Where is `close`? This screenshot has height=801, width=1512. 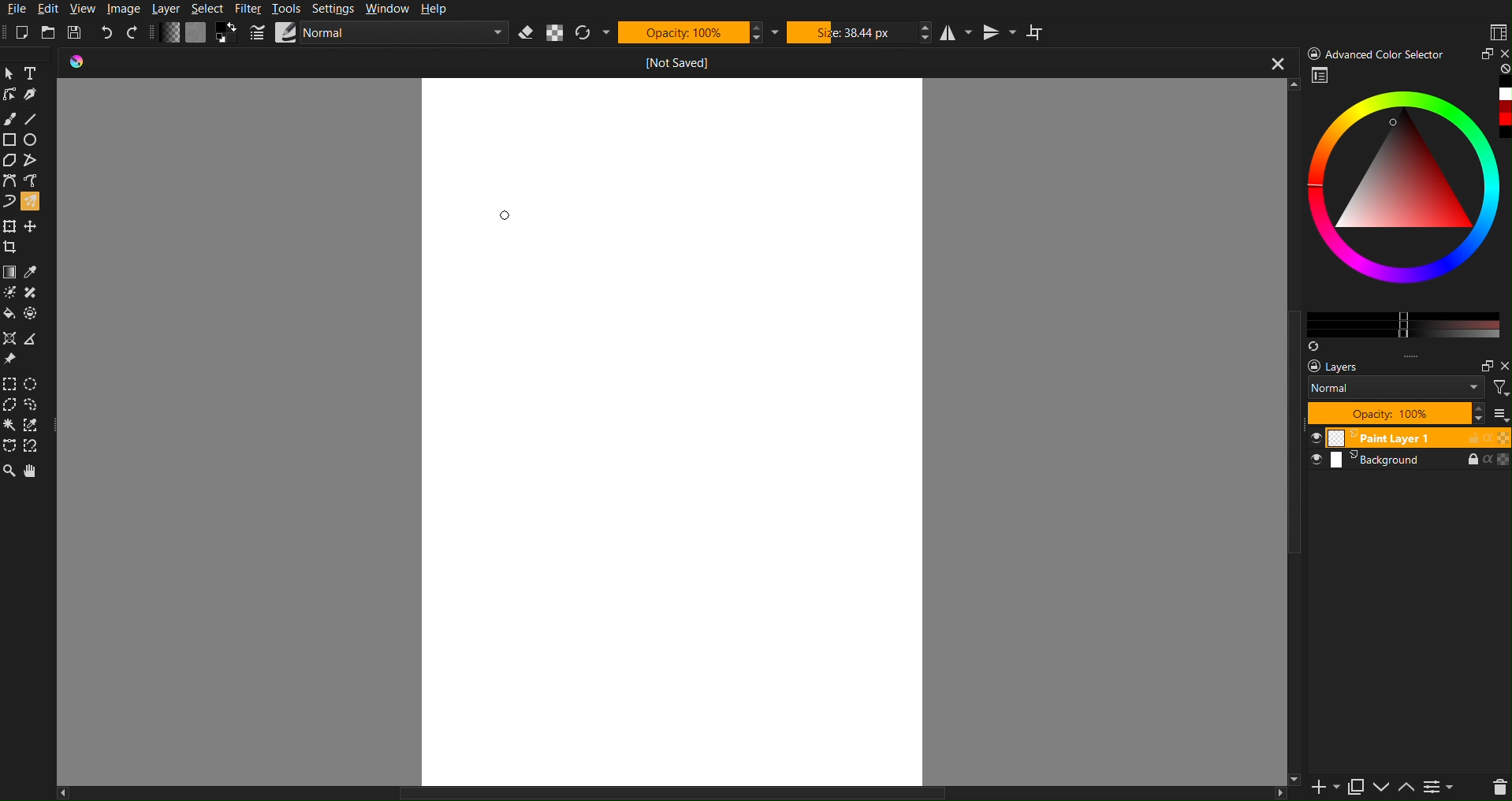 close is located at coordinates (1276, 65).